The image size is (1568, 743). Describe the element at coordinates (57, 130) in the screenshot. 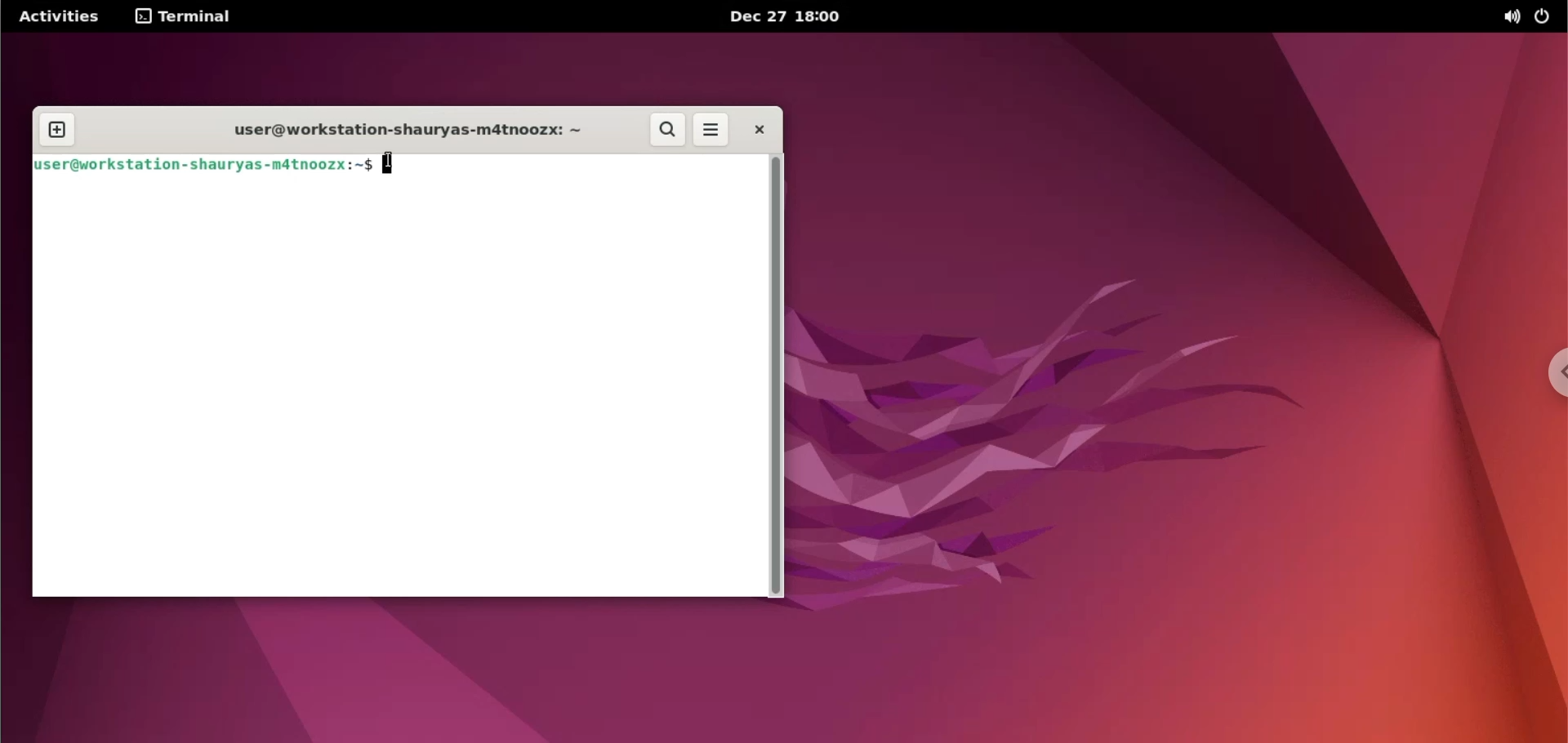

I see `new tab` at that location.